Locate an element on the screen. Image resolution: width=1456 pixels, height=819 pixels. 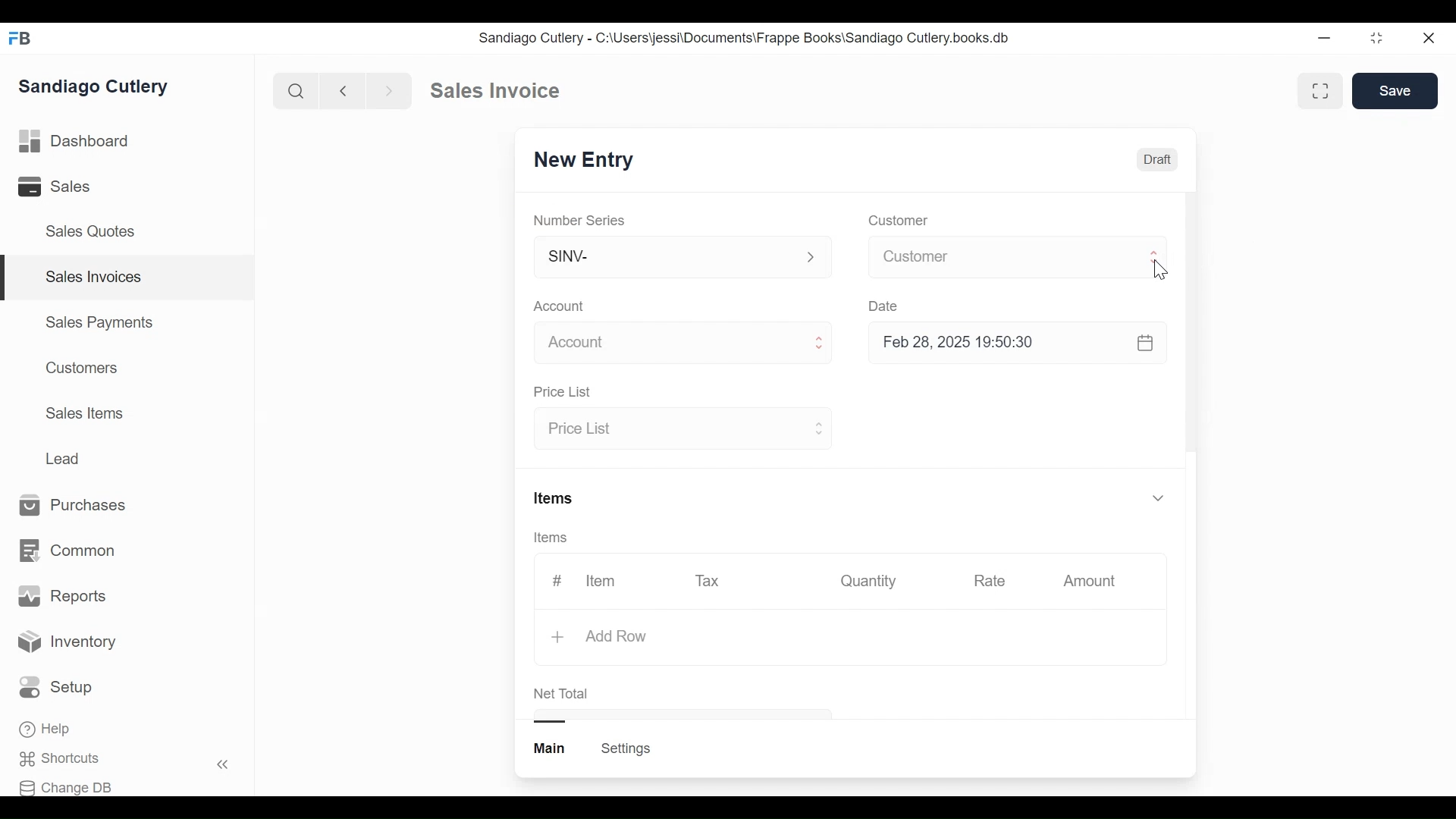
v is located at coordinates (1159, 499).